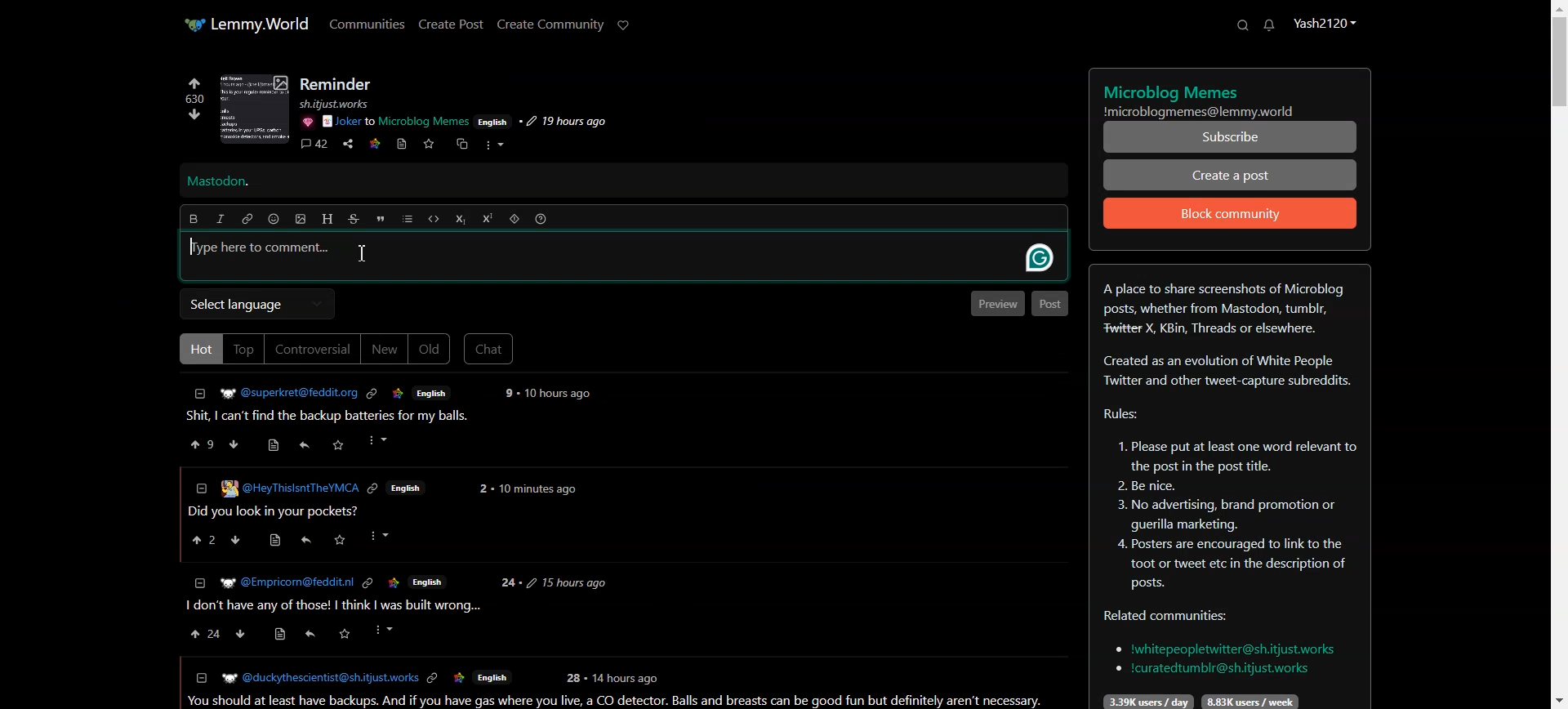  I want to click on , so click(399, 394).